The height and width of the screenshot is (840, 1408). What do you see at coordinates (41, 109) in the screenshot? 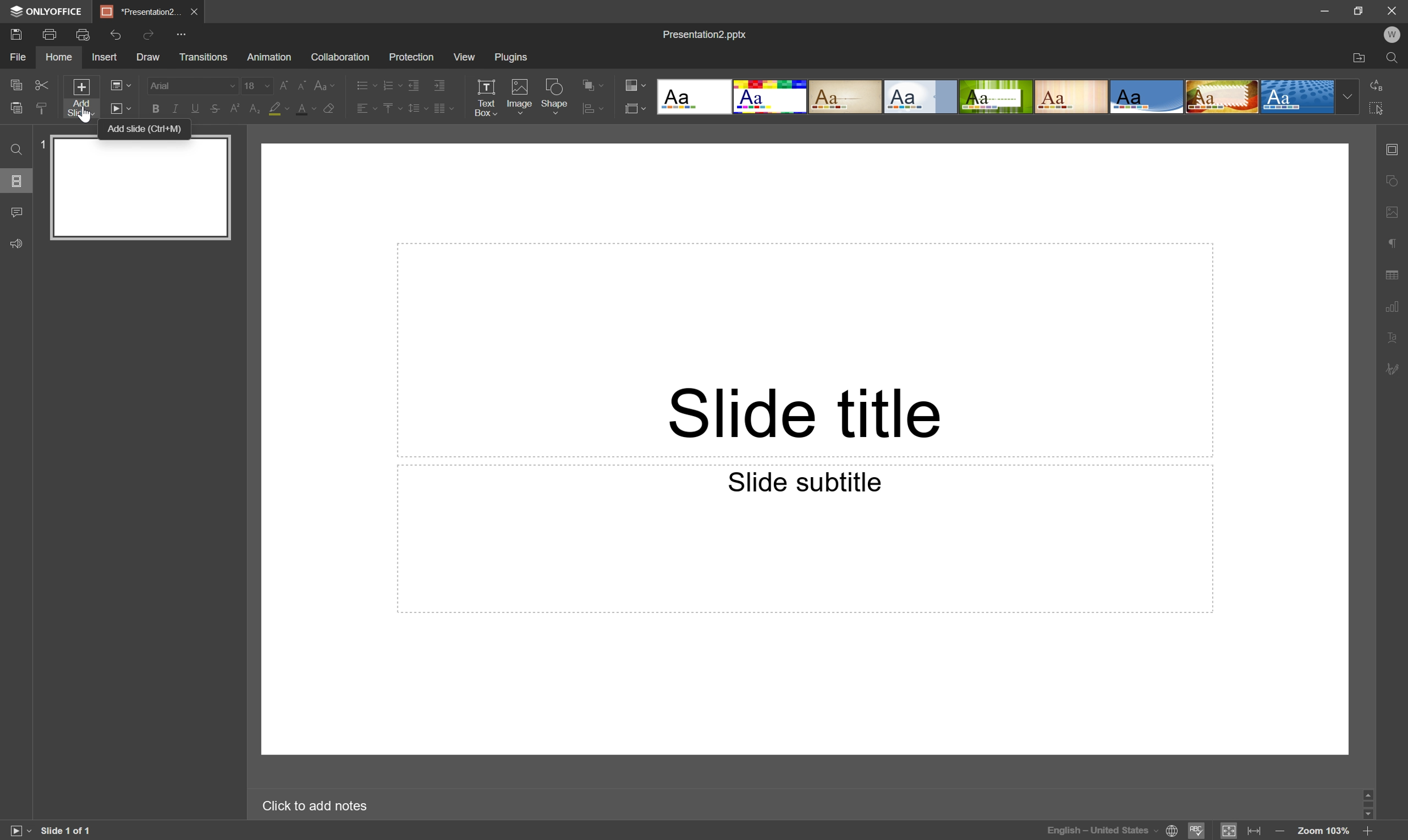
I see `Paste style` at bounding box center [41, 109].